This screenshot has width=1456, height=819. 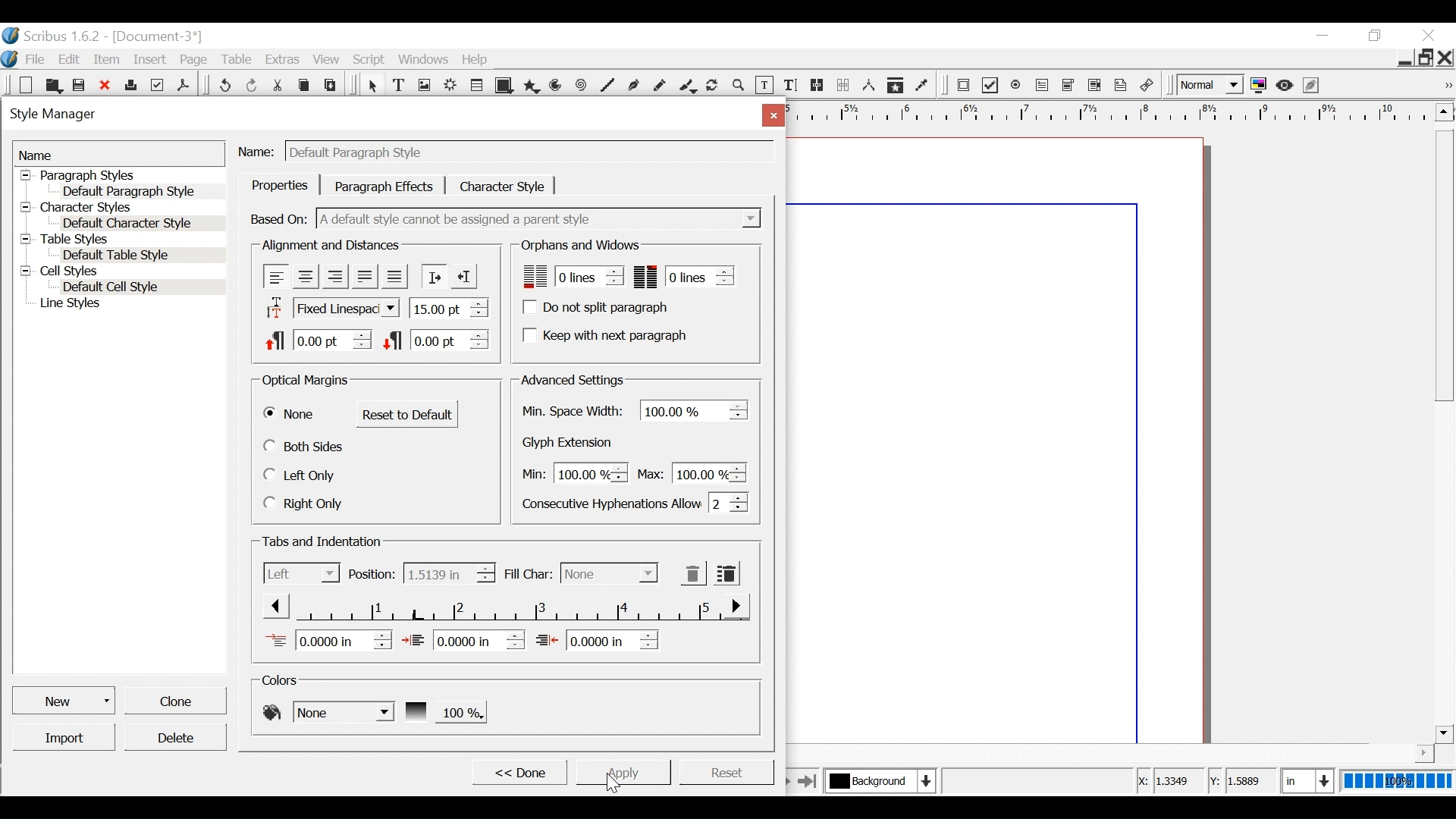 I want to click on Character Styles, so click(x=120, y=208).